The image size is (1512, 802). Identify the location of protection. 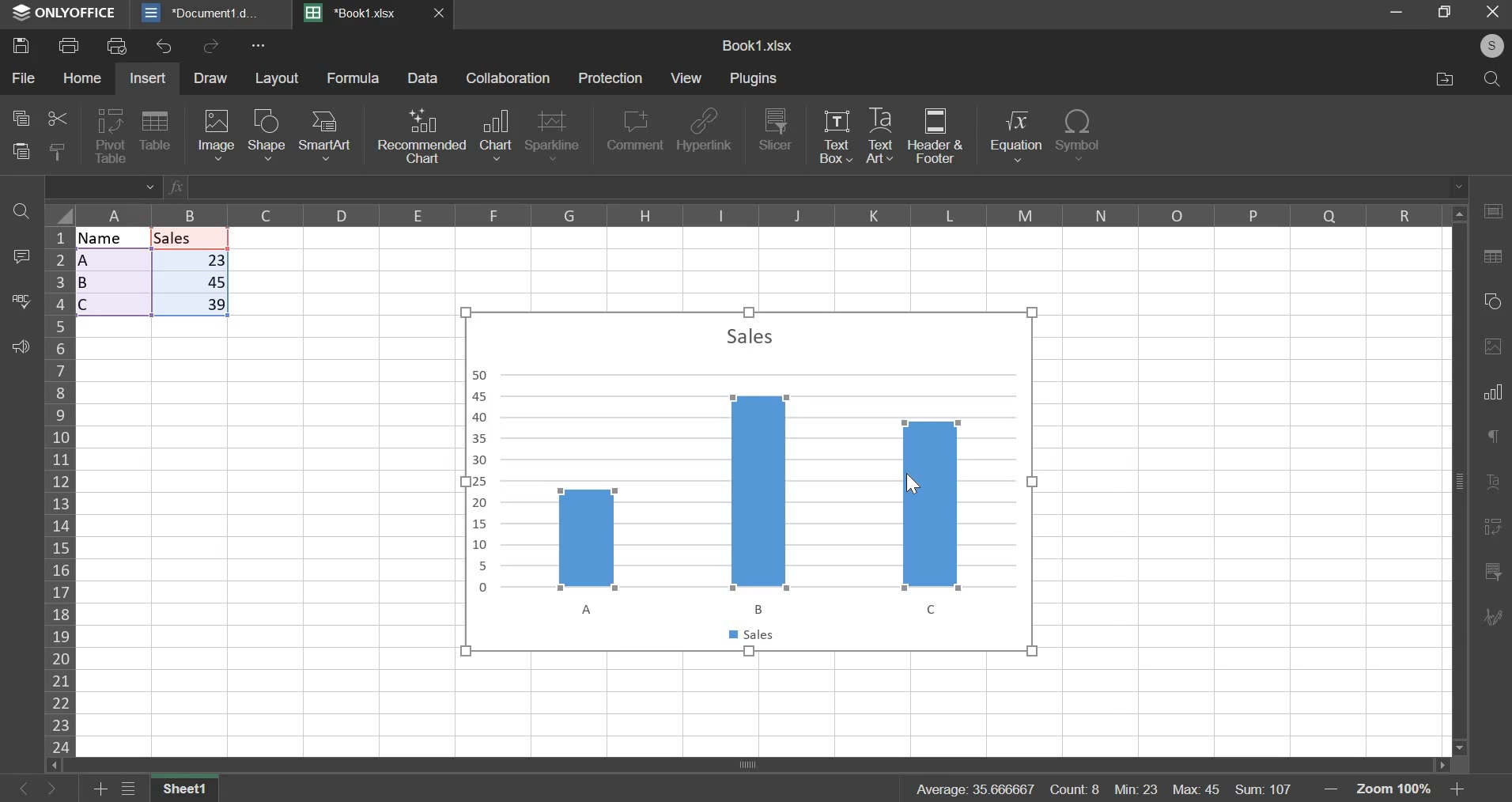
(610, 78).